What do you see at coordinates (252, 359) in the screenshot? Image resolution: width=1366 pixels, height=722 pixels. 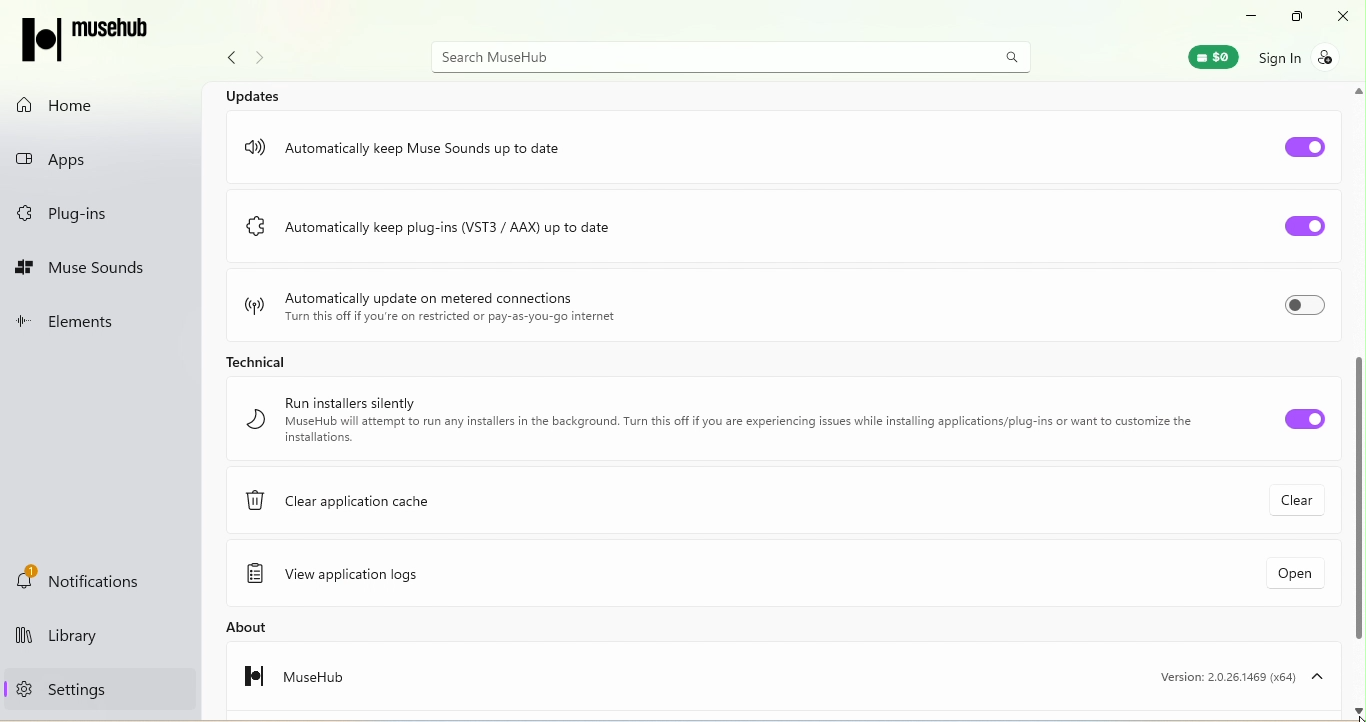 I see `Technical` at bounding box center [252, 359].